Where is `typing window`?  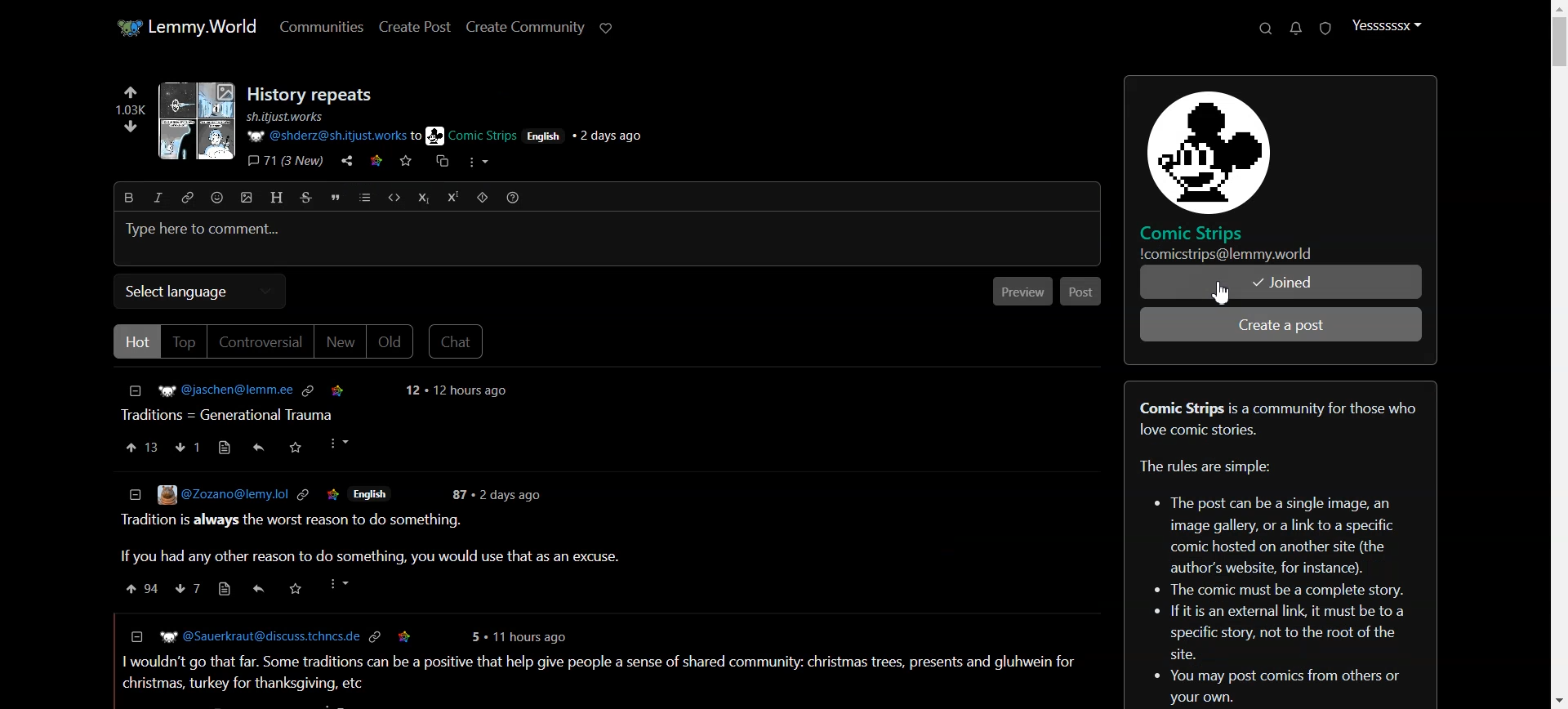 typing window is located at coordinates (608, 239).